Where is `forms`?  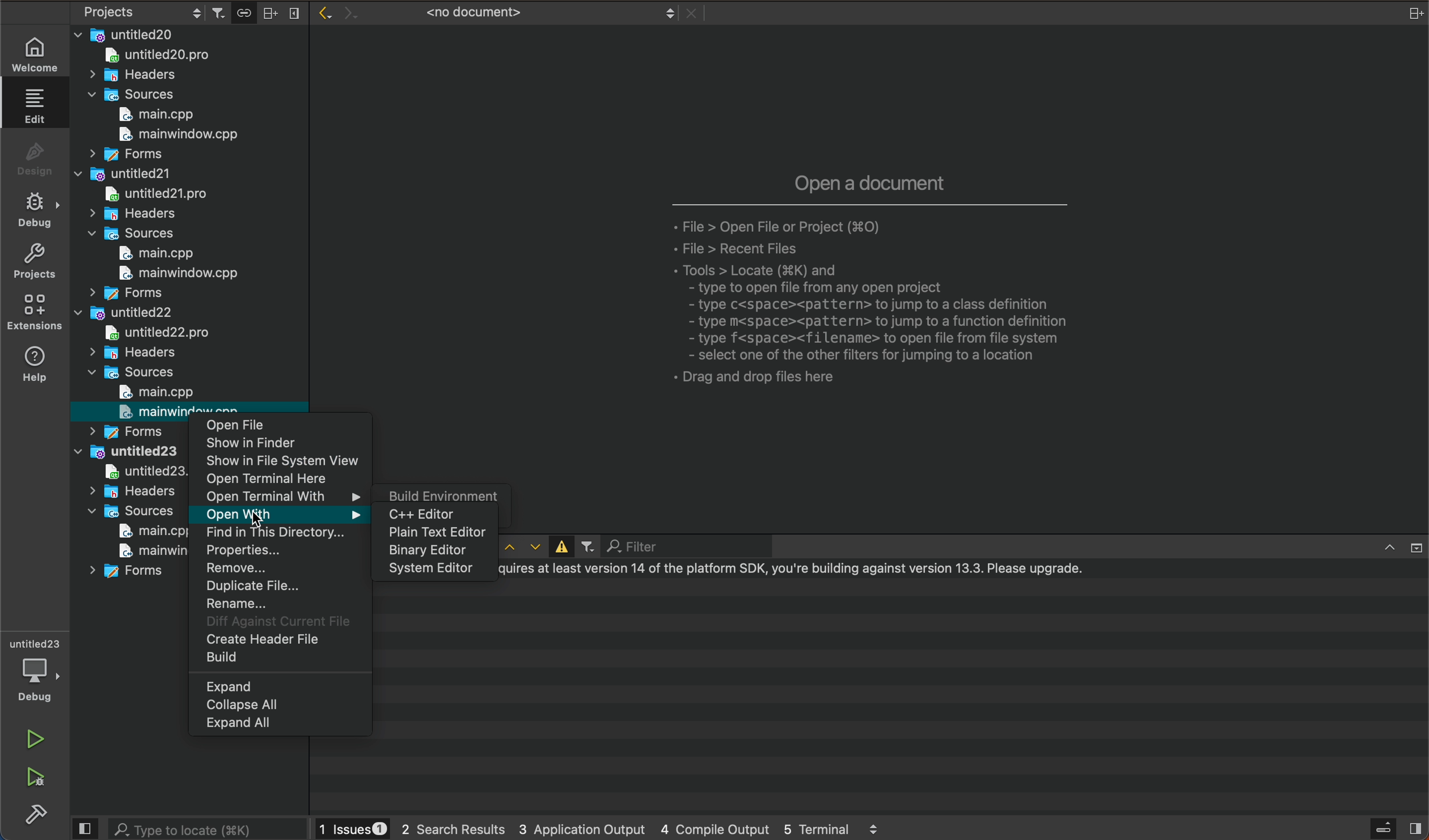
forms is located at coordinates (124, 154).